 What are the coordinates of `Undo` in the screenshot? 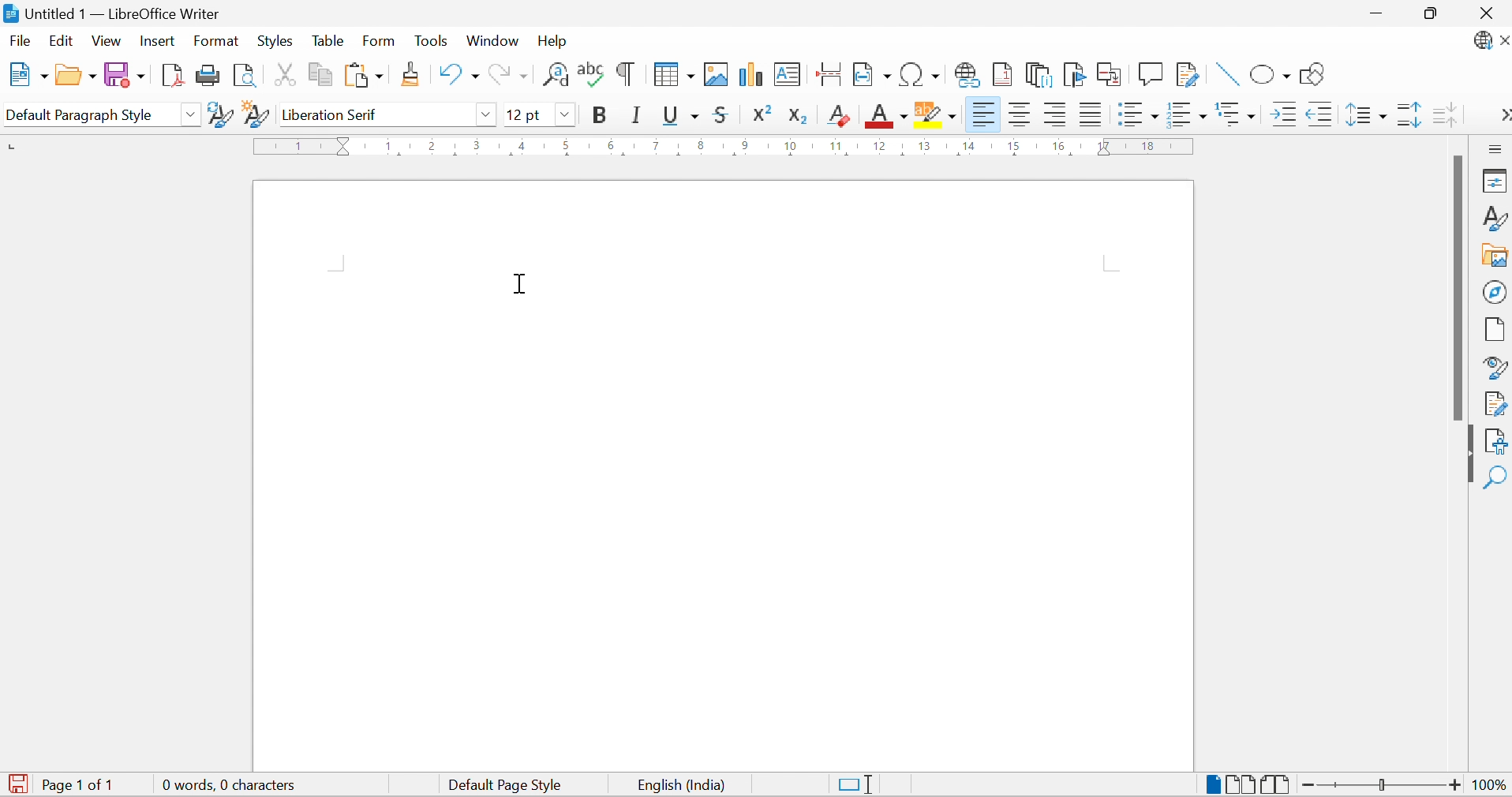 It's located at (456, 75).